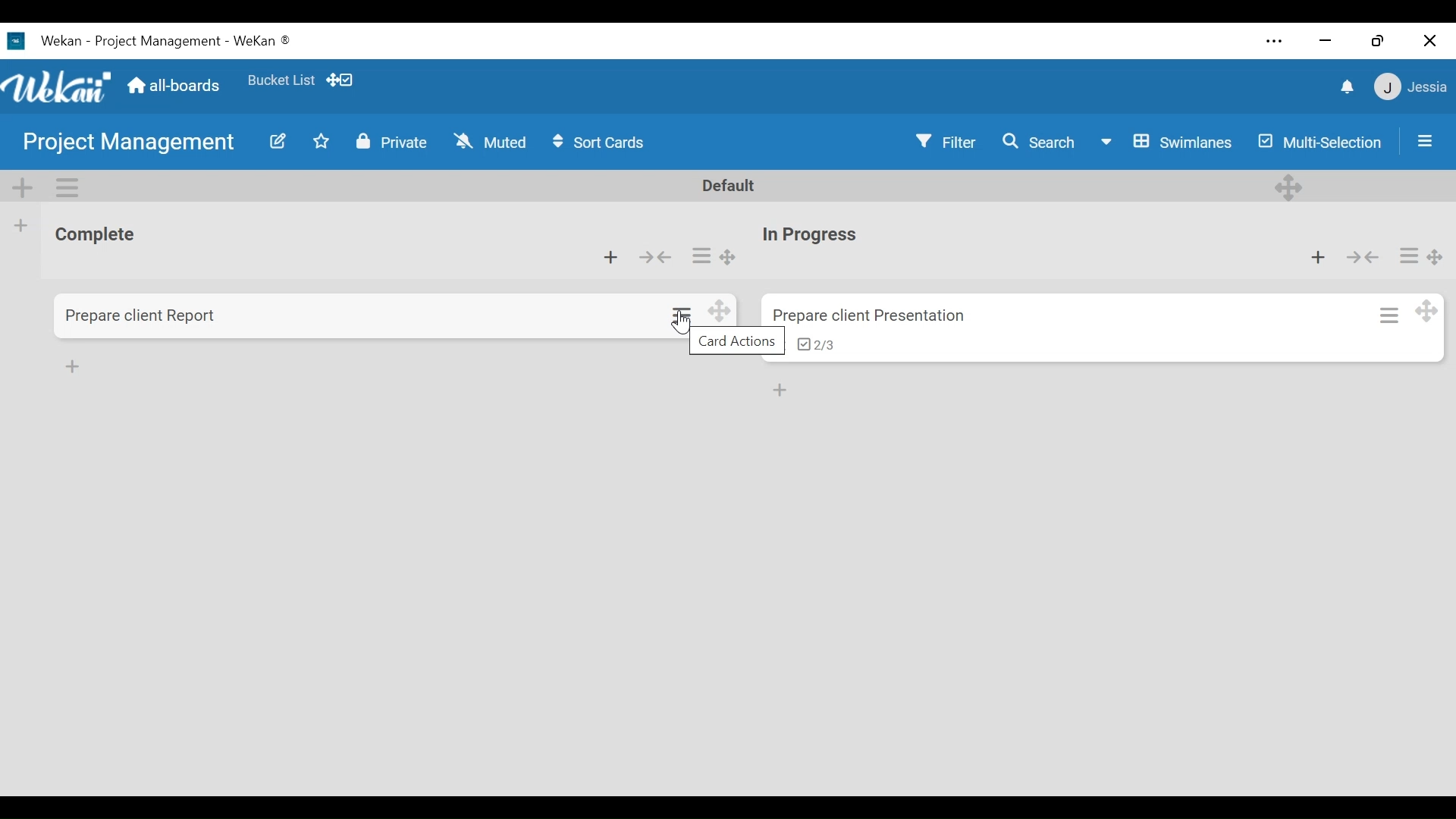 The height and width of the screenshot is (819, 1456). Describe the element at coordinates (1423, 140) in the screenshot. I see `Sidebar` at that location.